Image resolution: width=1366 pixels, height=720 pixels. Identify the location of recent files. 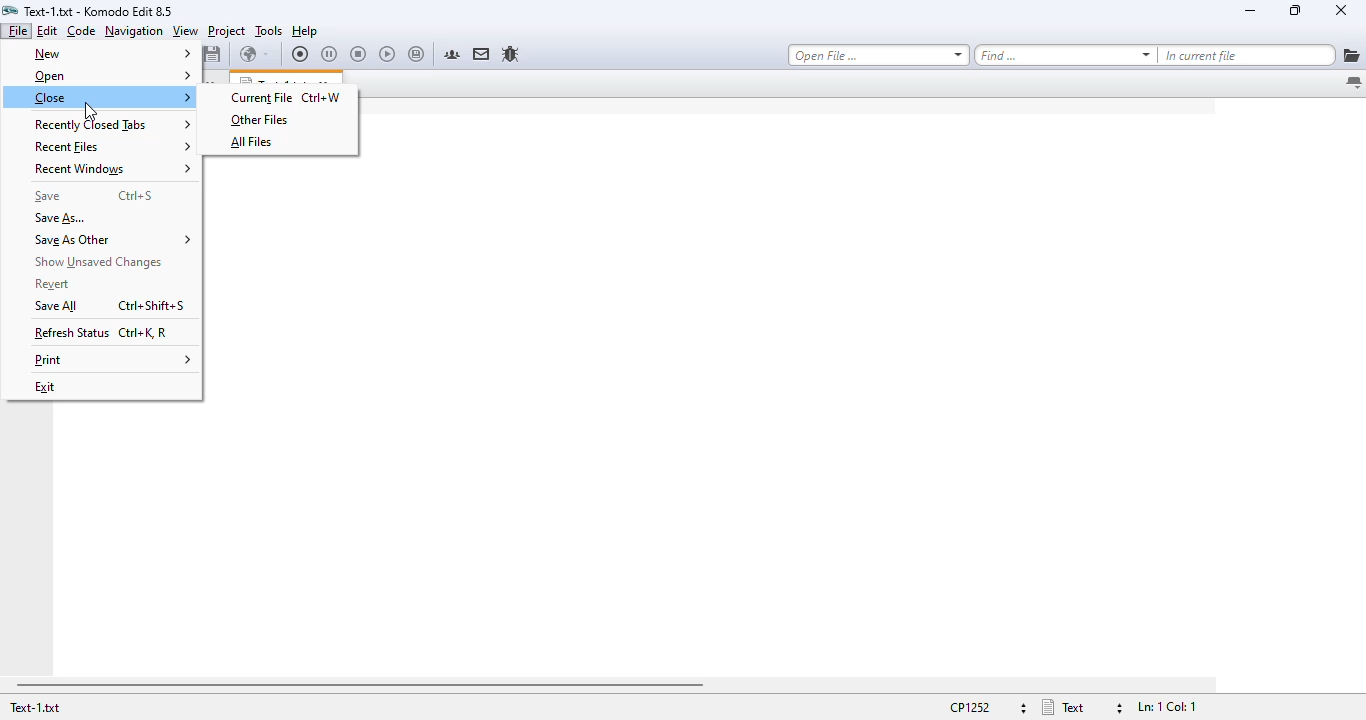
(112, 147).